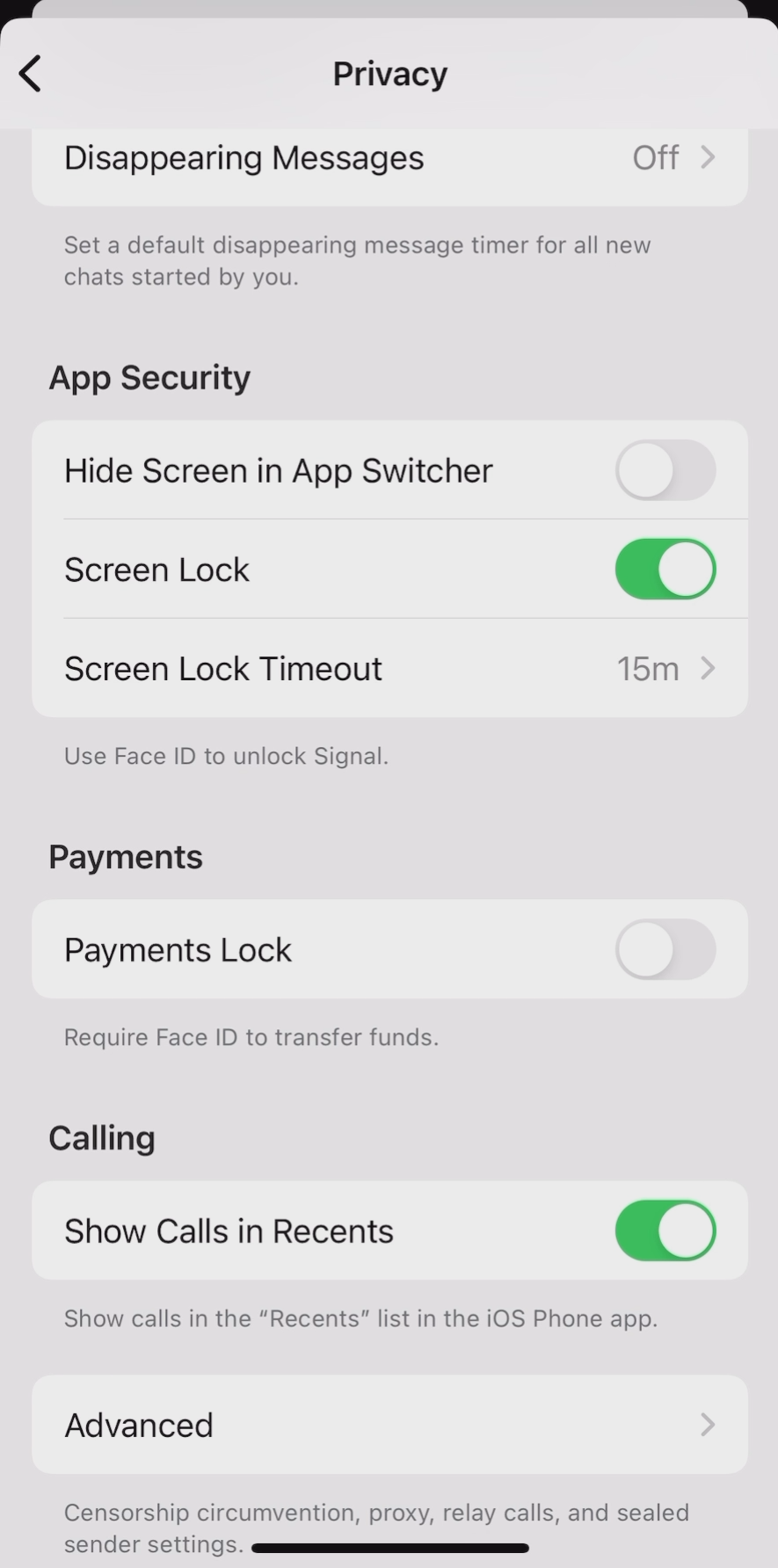  Describe the element at coordinates (229, 757) in the screenshot. I see `` at that location.